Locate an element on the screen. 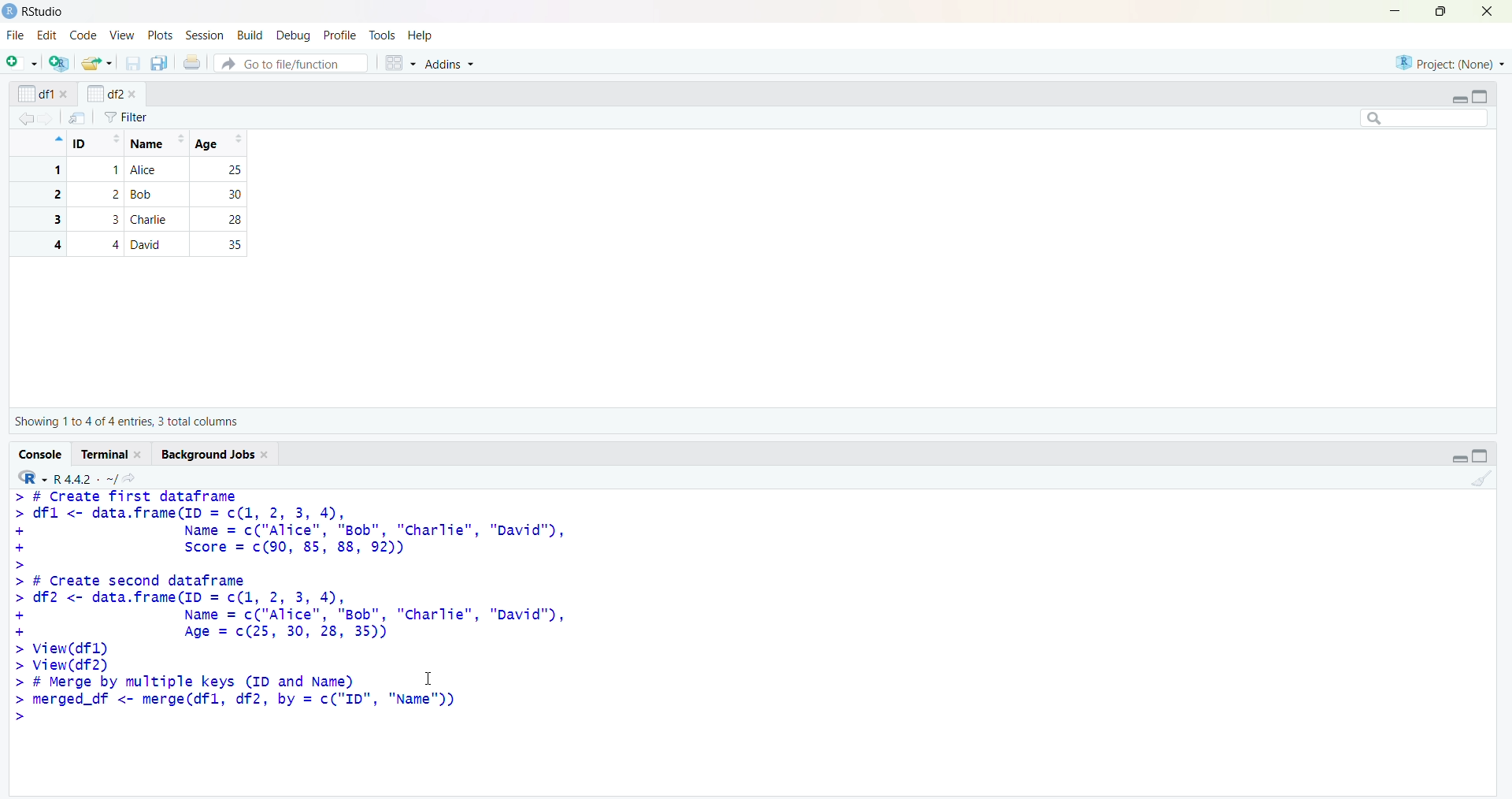 The image size is (1512, 799). 1 1 Alice 25 is located at coordinates (135, 170).